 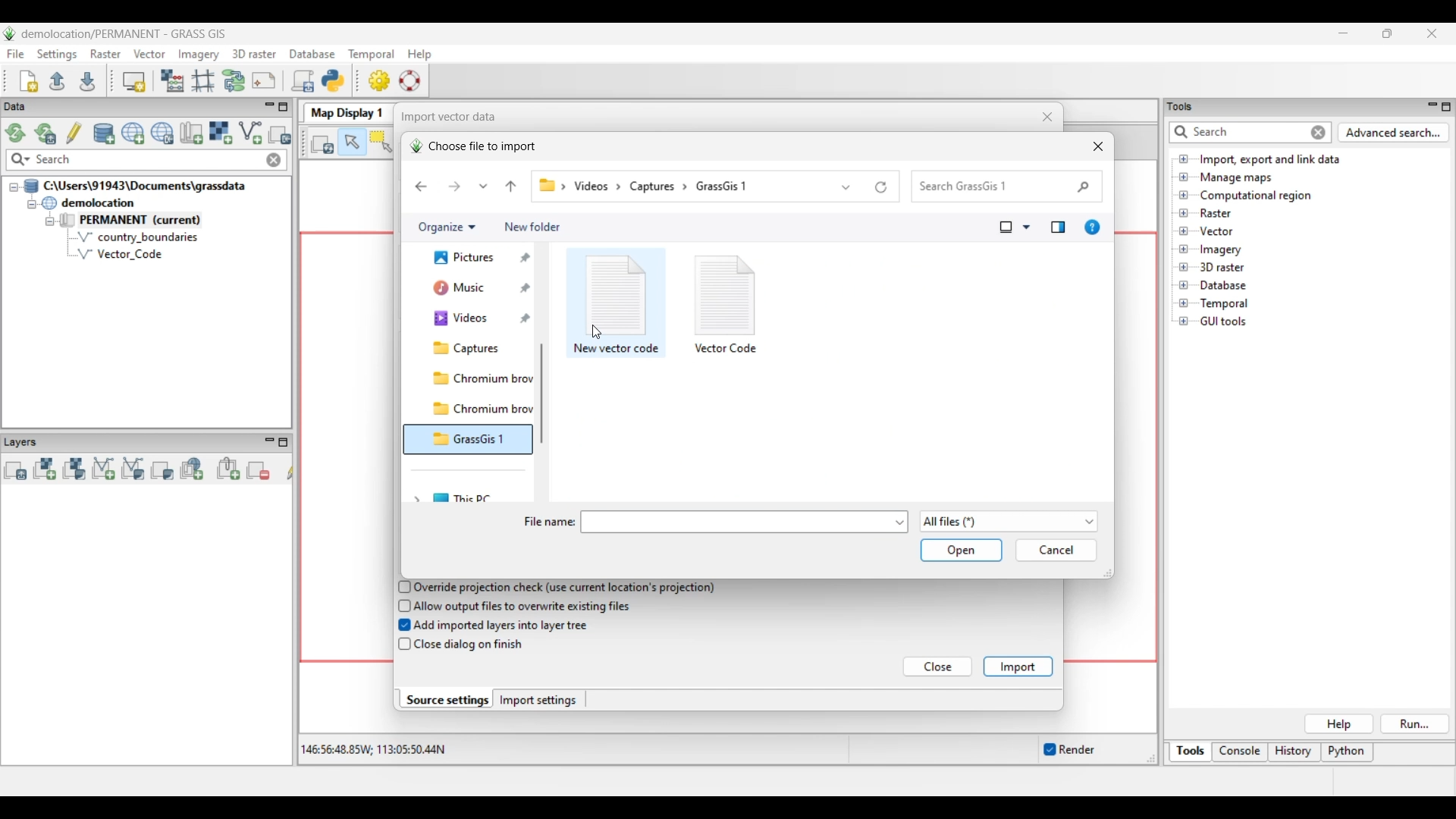 I want to click on Settings menu, so click(x=57, y=55).